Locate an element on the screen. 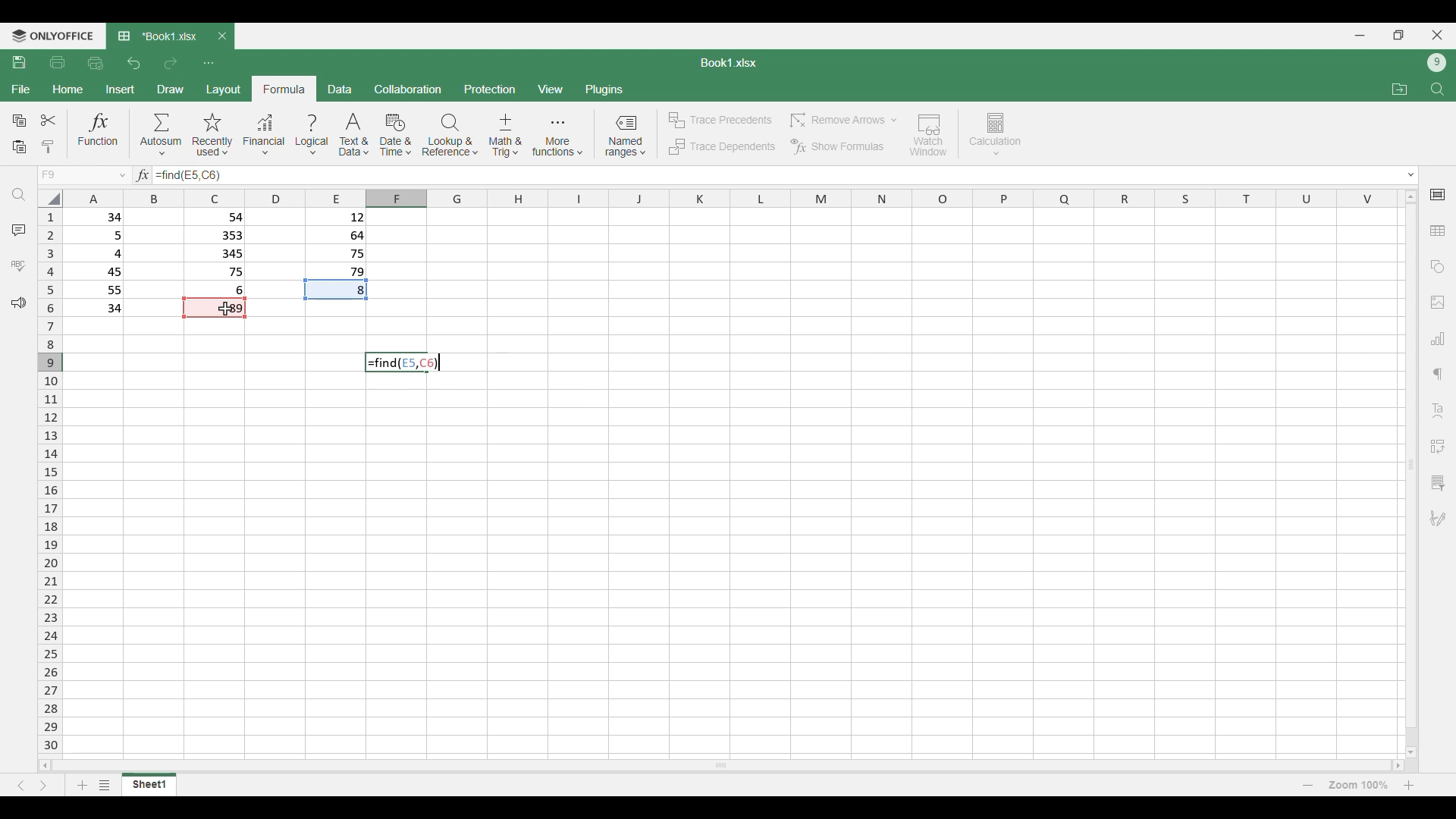 This screenshot has width=1456, height=819. Math and trig is located at coordinates (505, 135).